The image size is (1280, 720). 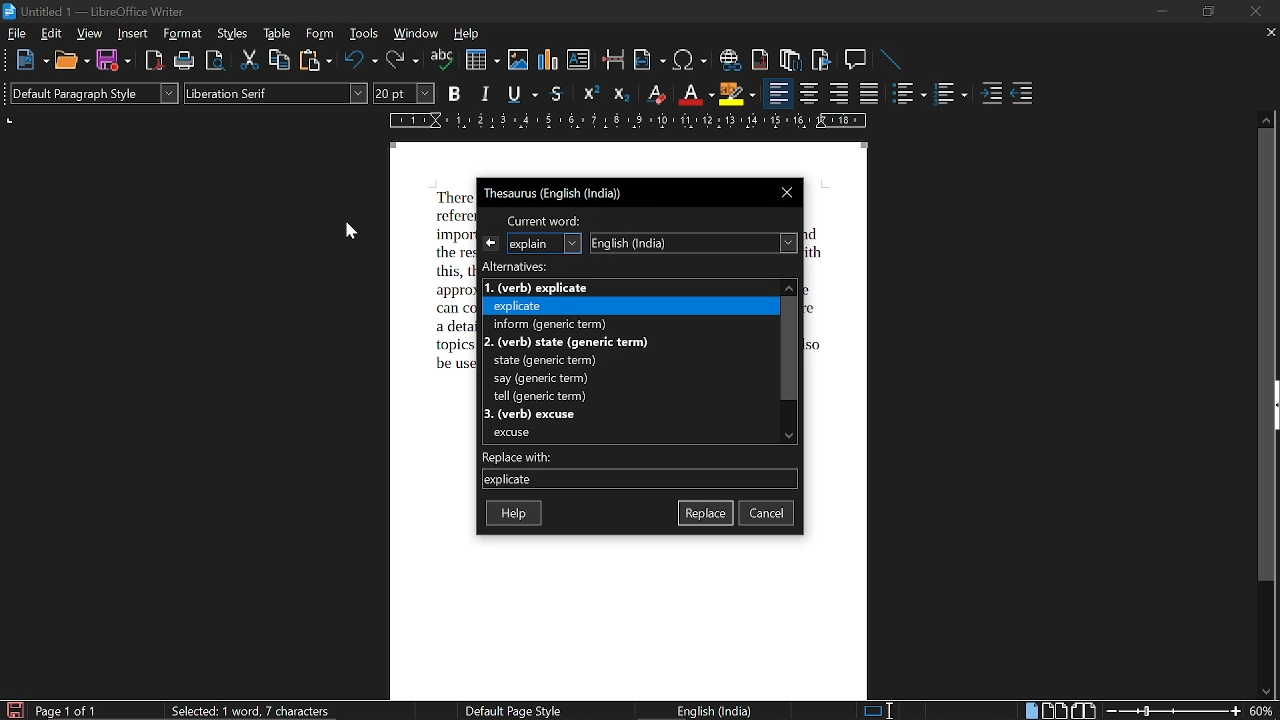 What do you see at coordinates (91, 35) in the screenshot?
I see `view` at bounding box center [91, 35].